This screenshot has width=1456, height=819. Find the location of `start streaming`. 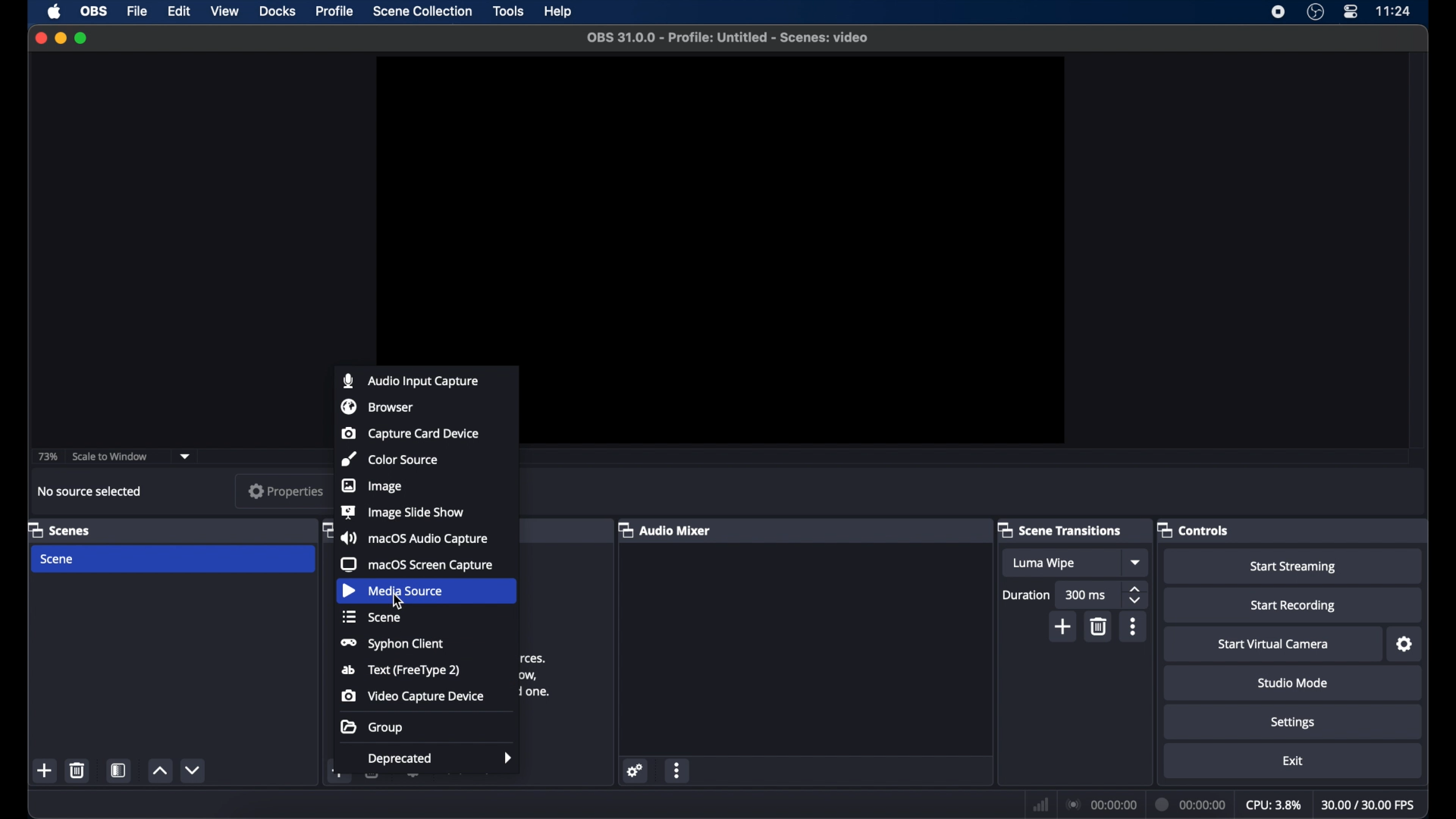

start streaming is located at coordinates (1295, 567).